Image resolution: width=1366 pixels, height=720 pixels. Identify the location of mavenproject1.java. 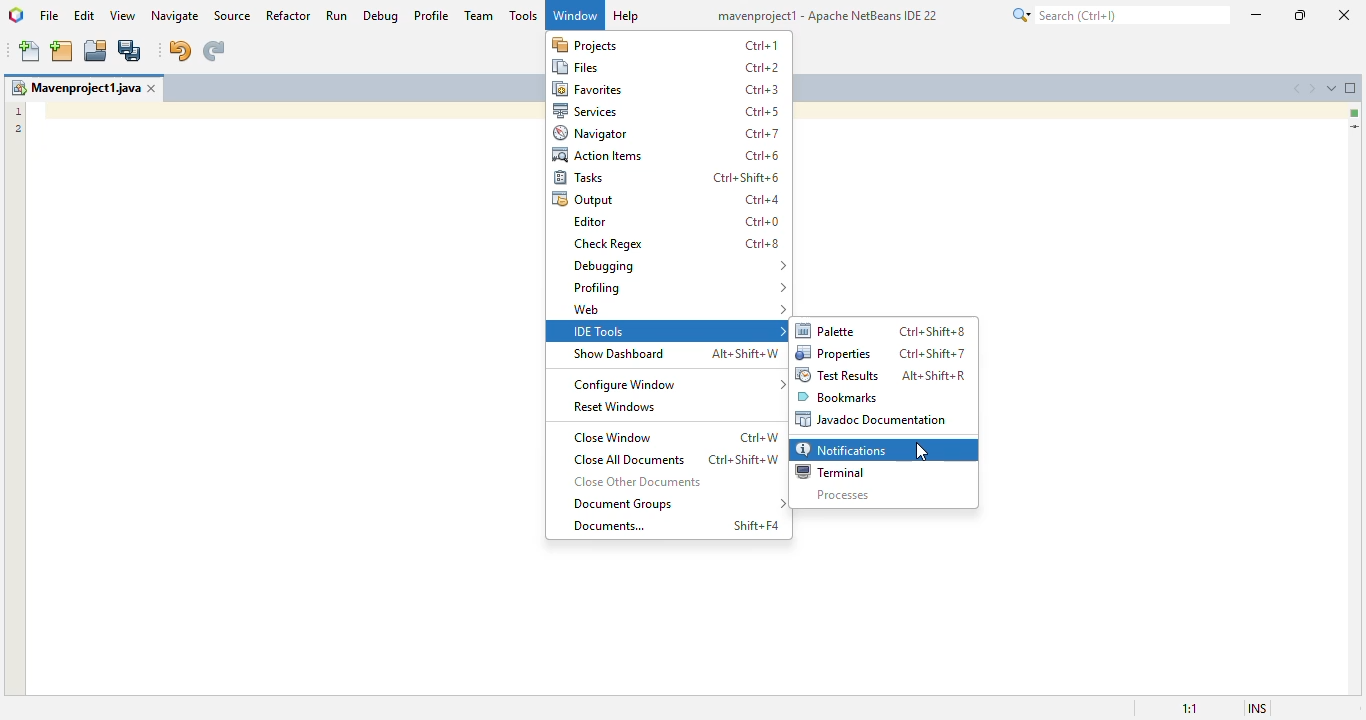
(75, 87).